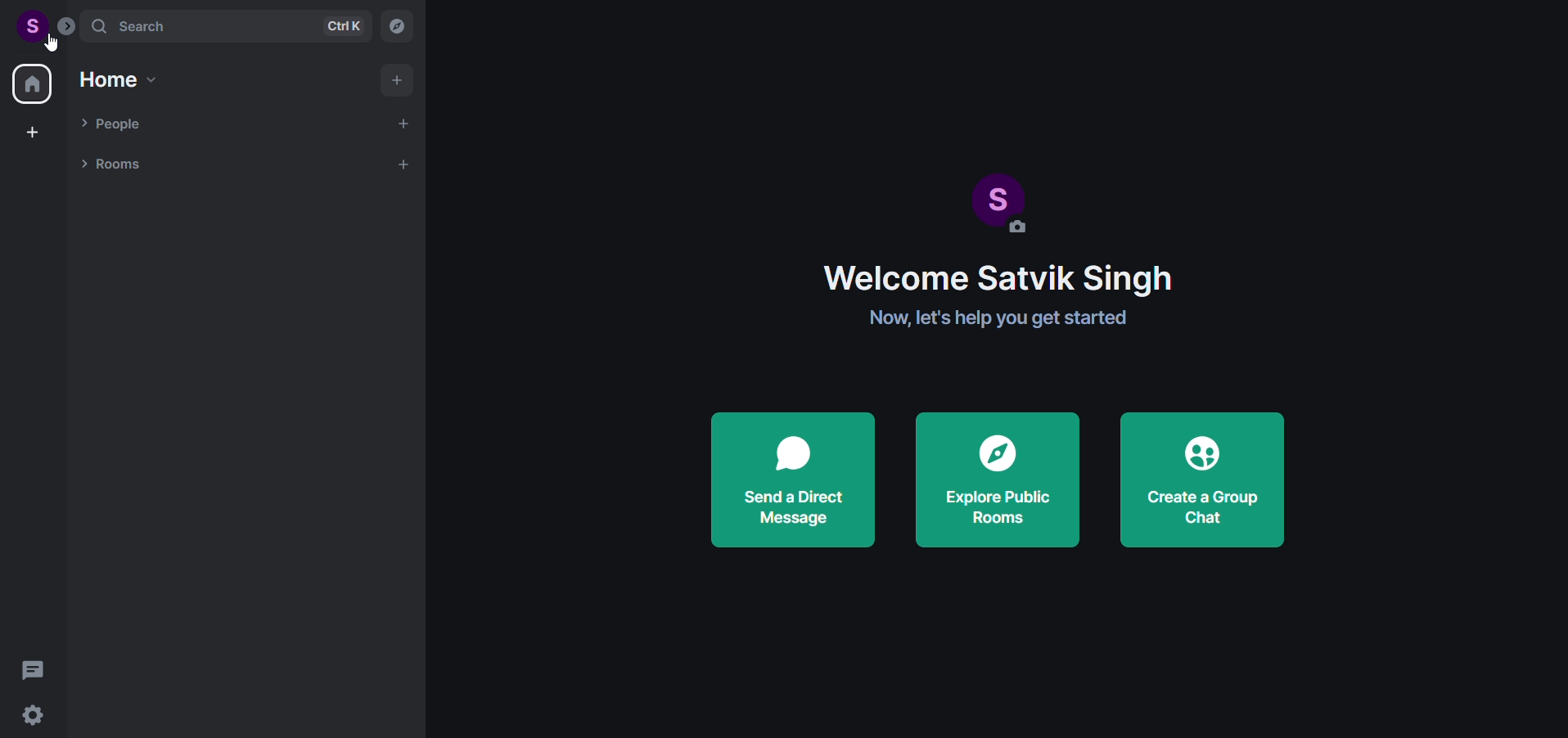  What do you see at coordinates (115, 122) in the screenshot?
I see `people` at bounding box center [115, 122].